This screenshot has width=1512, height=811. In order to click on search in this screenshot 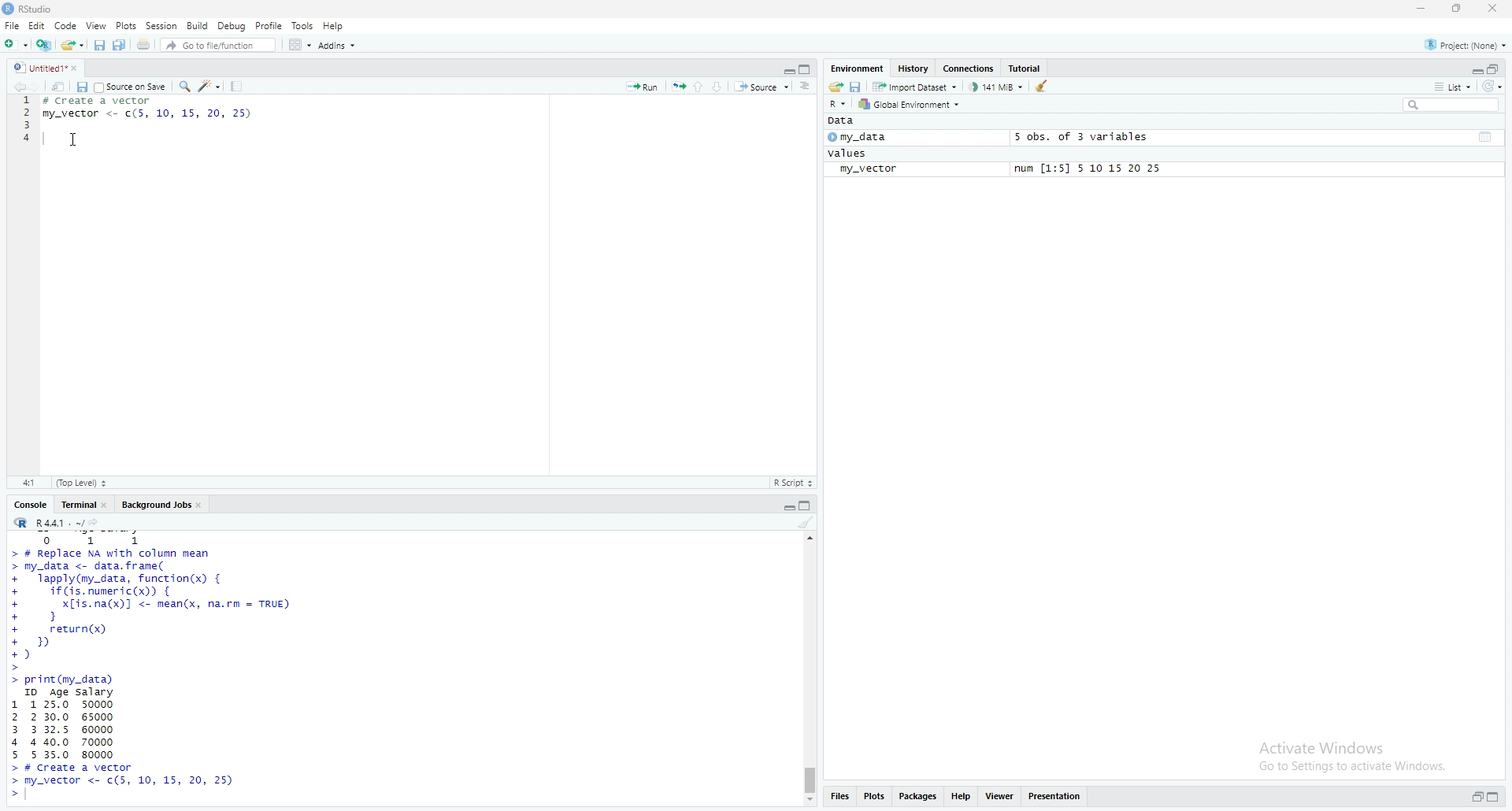, I will do `click(1448, 106)`.